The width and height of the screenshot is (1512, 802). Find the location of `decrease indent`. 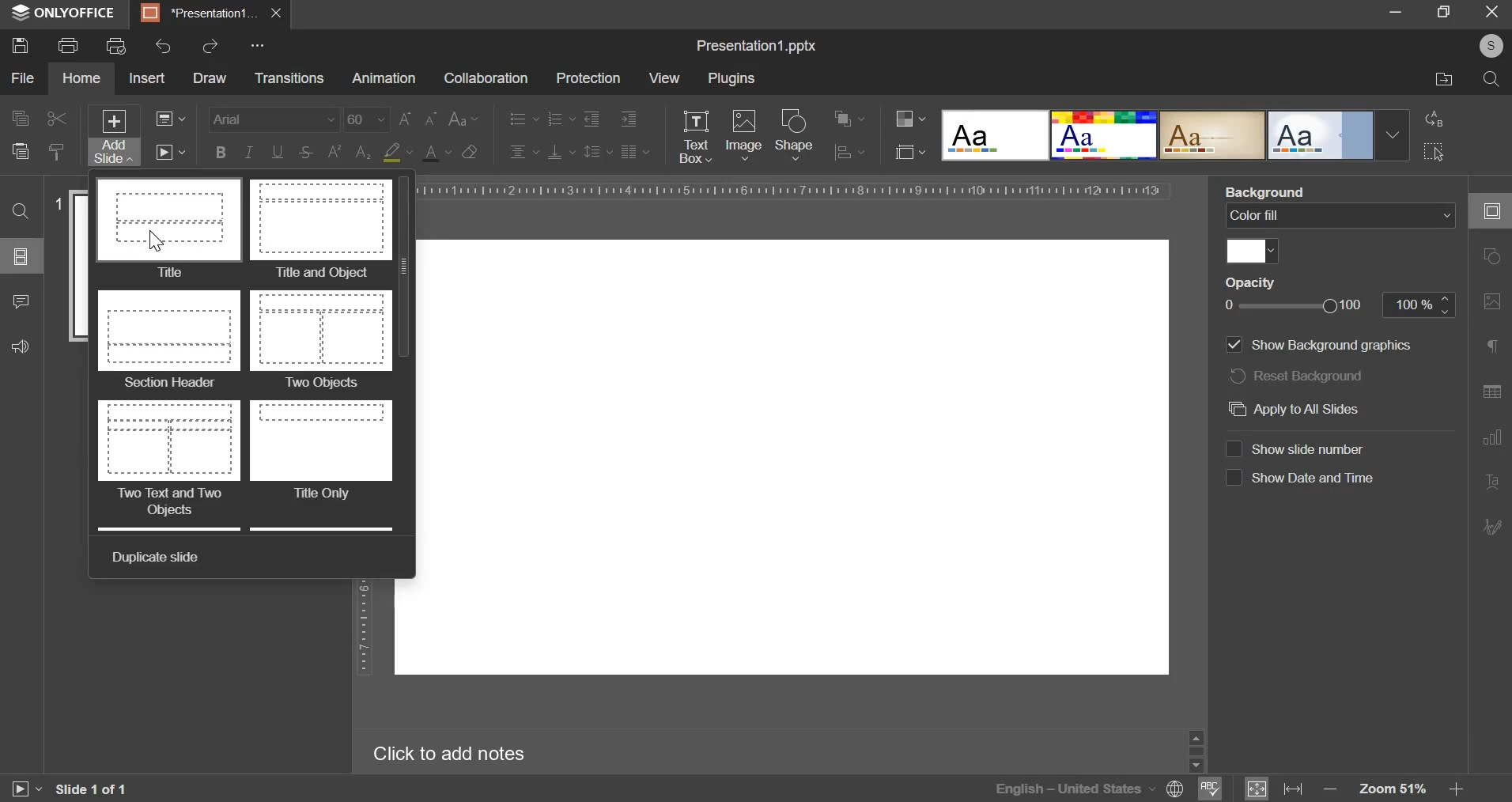

decrease indent is located at coordinates (591, 119).